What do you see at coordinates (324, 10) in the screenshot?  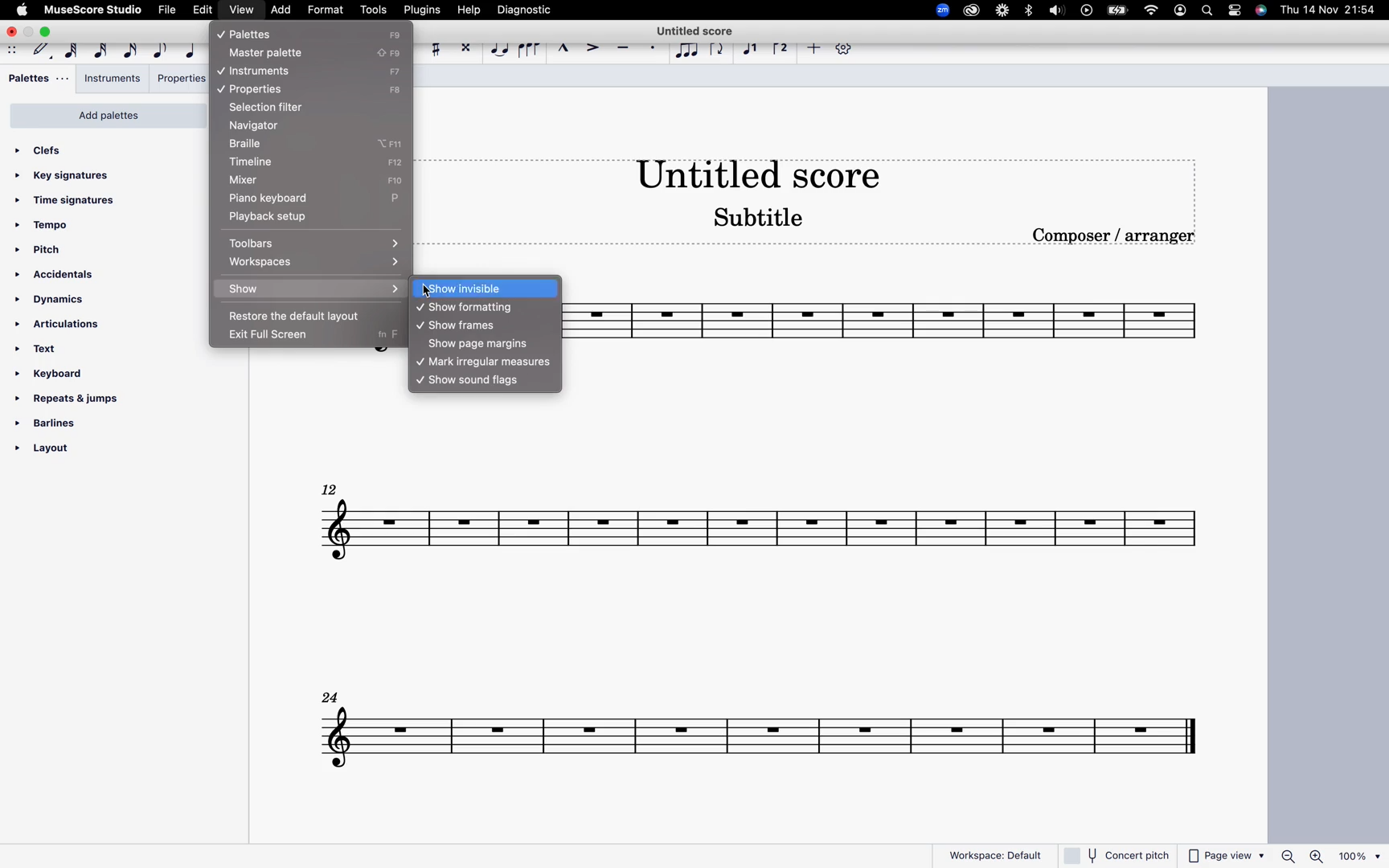 I see `format` at bounding box center [324, 10].